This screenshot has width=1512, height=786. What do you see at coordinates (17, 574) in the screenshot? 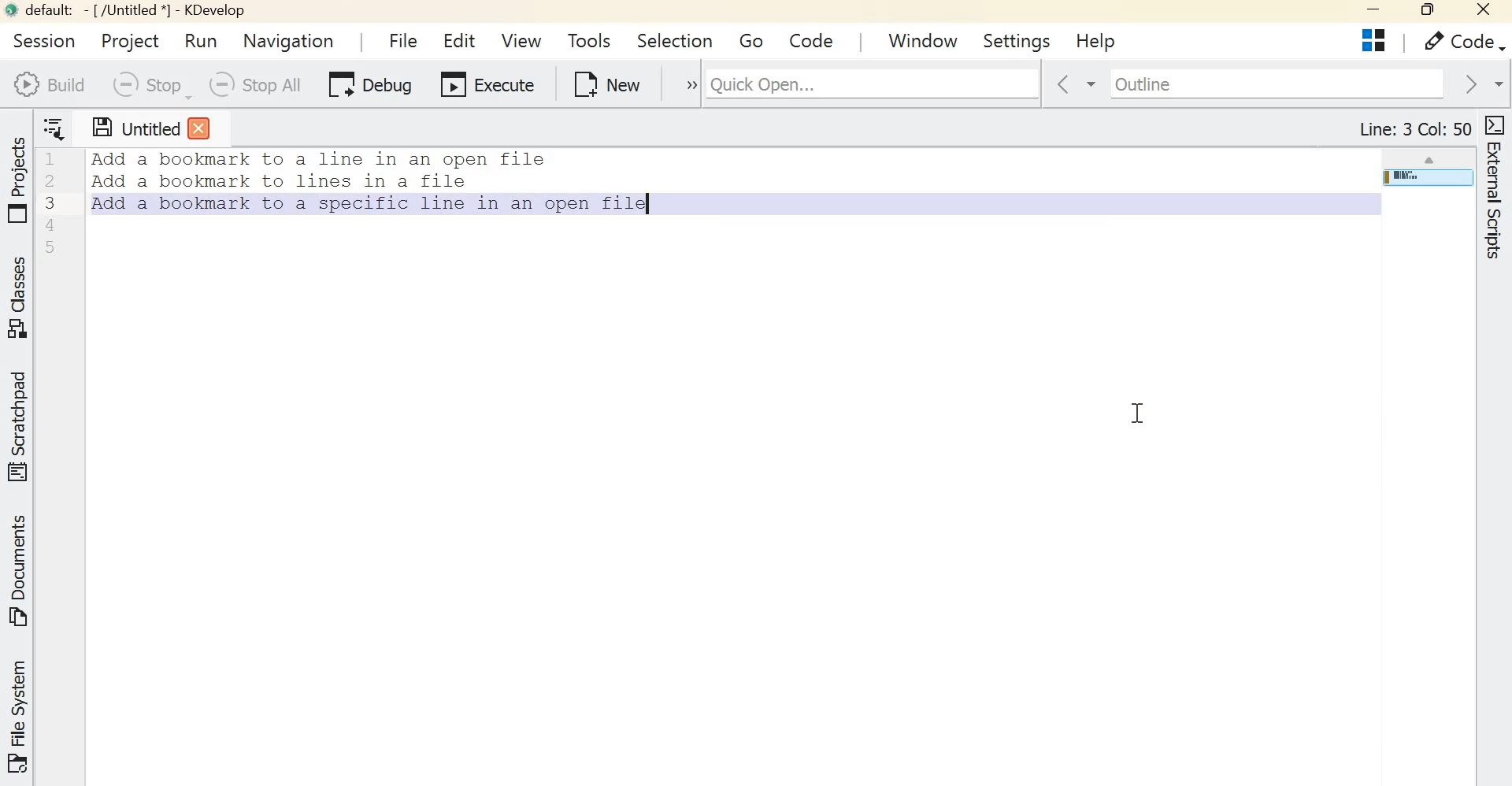
I see `Documents` at bounding box center [17, 574].